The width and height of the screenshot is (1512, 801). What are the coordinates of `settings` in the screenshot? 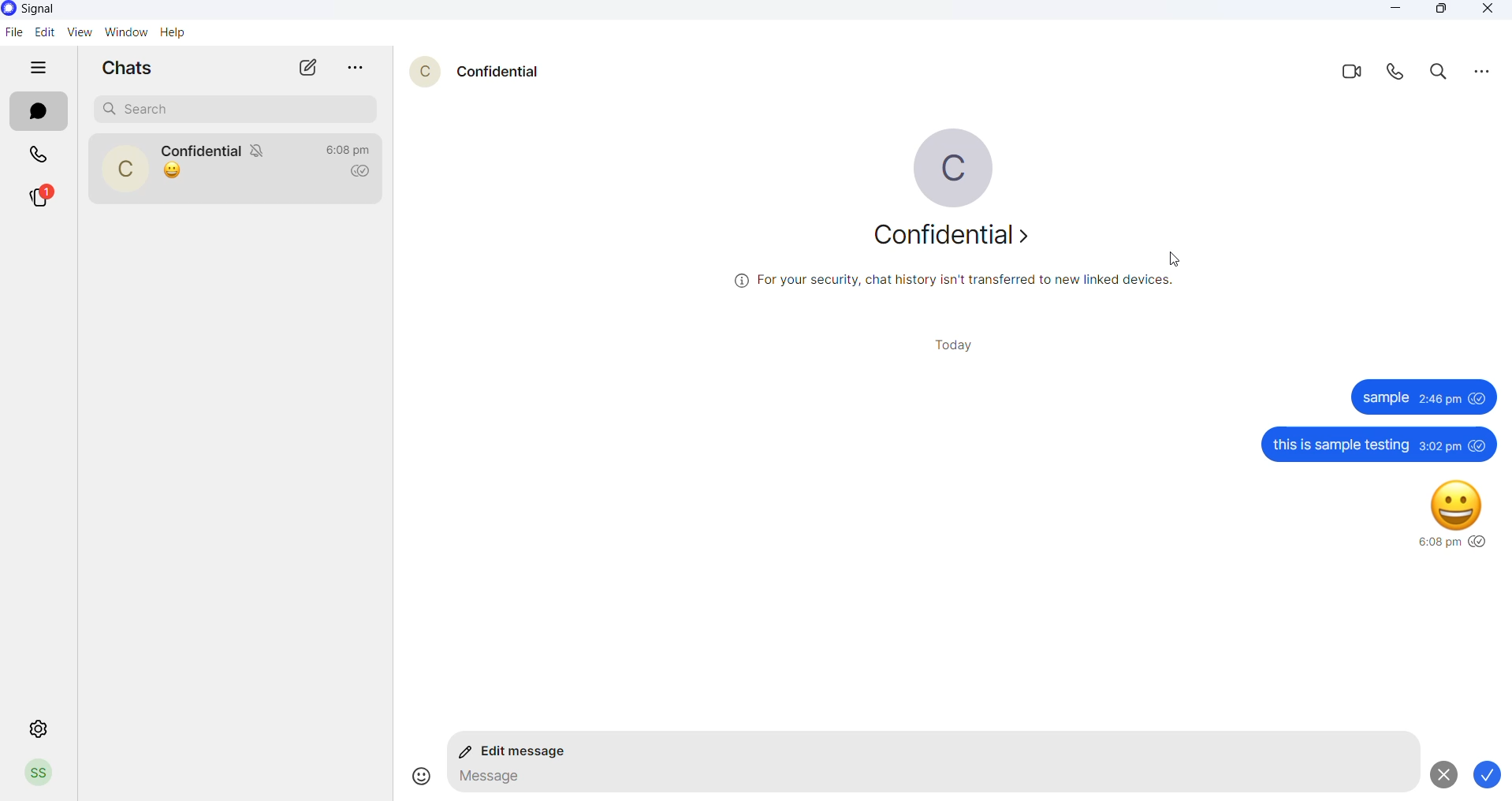 It's located at (40, 726).